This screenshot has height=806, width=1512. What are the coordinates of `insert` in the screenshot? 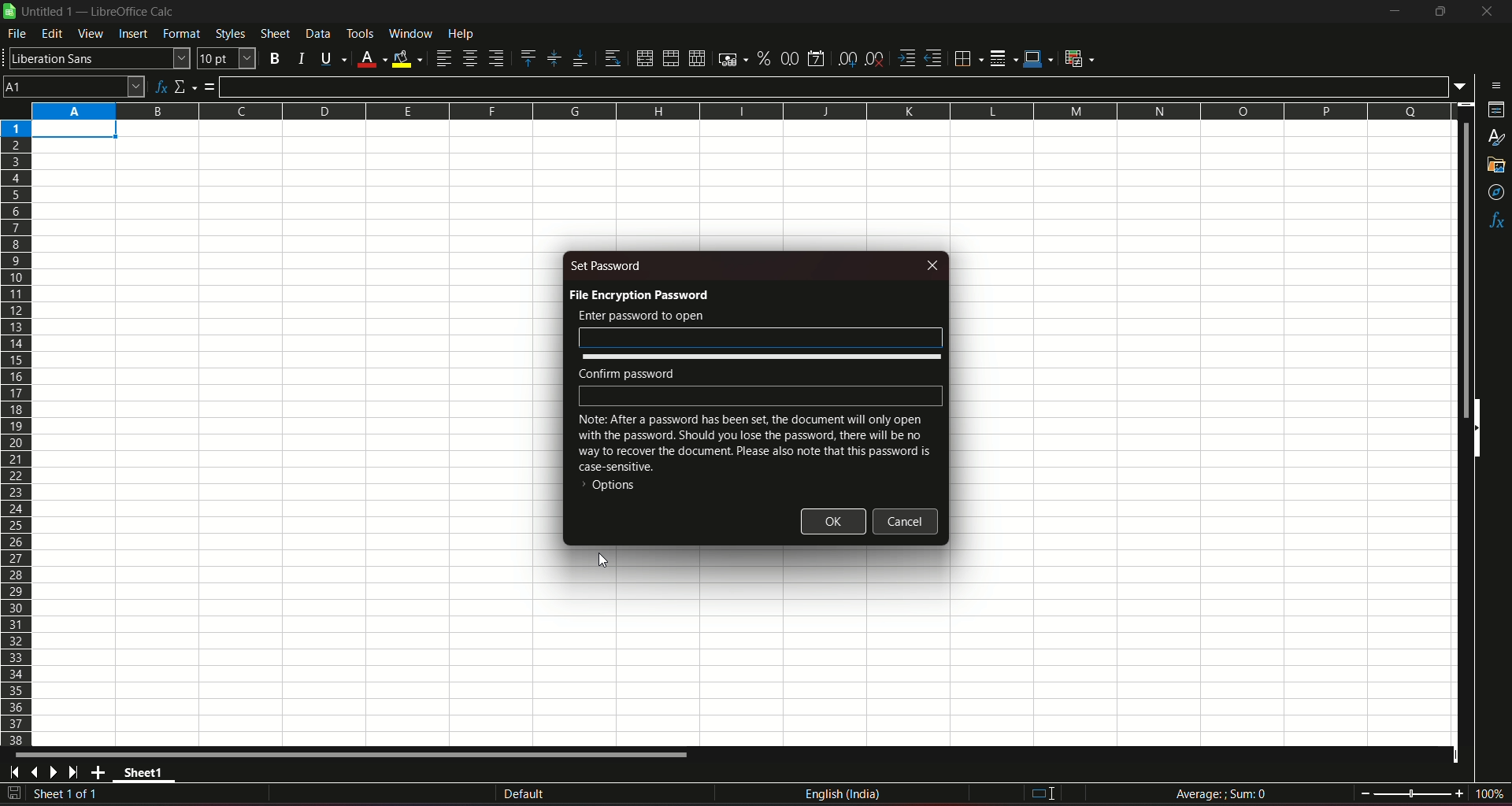 It's located at (133, 35).